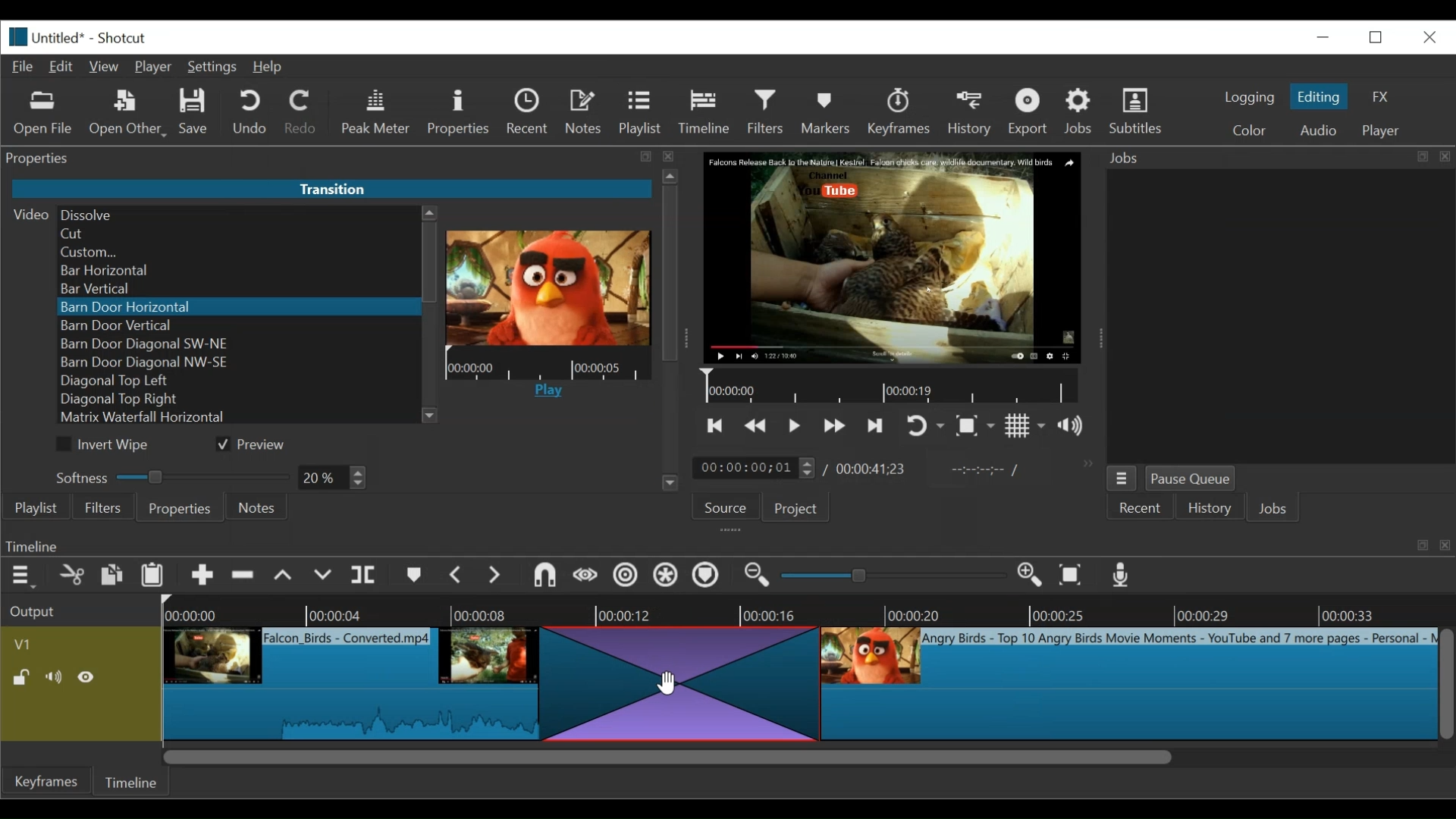 This screenshot has height=819, width=1456. What do you see at coordinates (237, 234) in the screenshot?
I see `Cut` at bounding box center [237, 234].